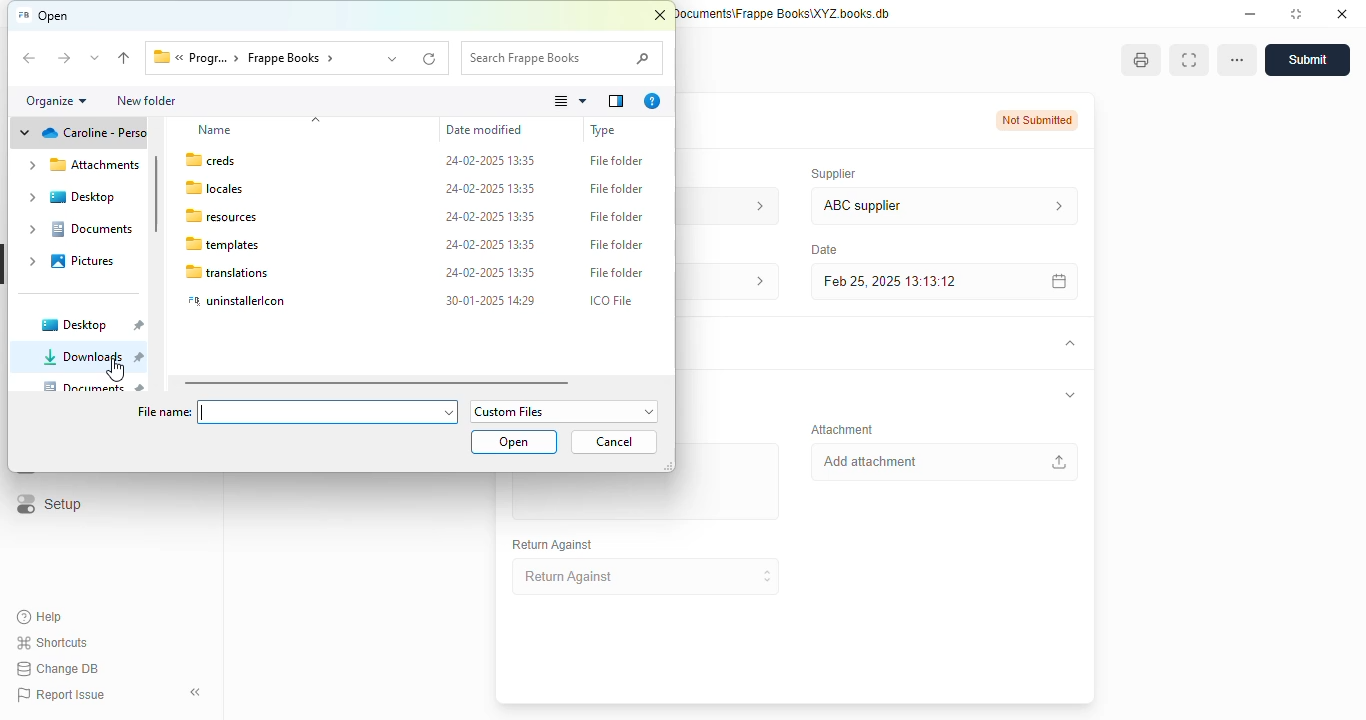  What do you see at coordinates (394, 58) in the screenshot?
I see `previous locations` at bounding box center [394, 58].